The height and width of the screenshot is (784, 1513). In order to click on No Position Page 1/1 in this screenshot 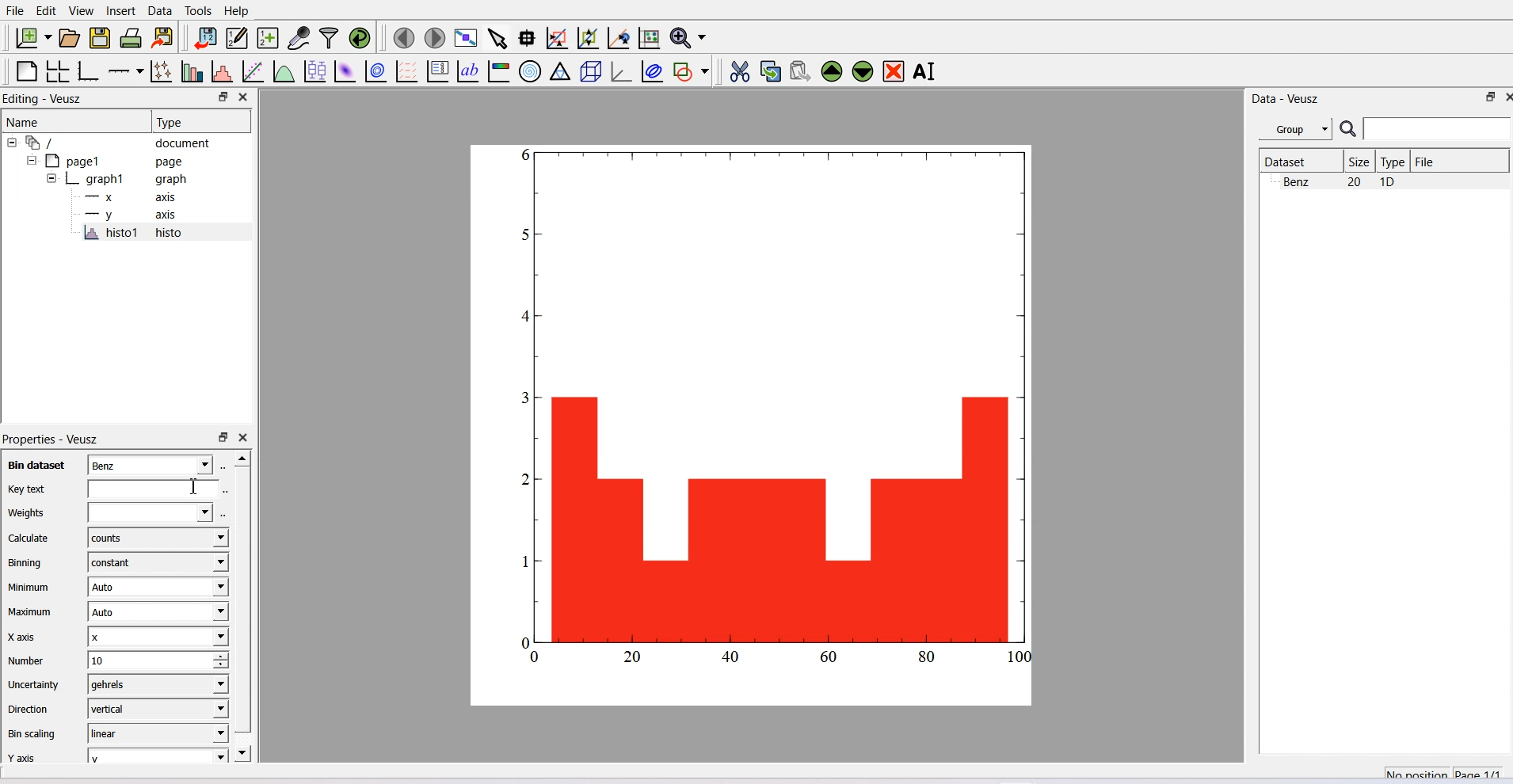, I will do `click(1442, 771)`.